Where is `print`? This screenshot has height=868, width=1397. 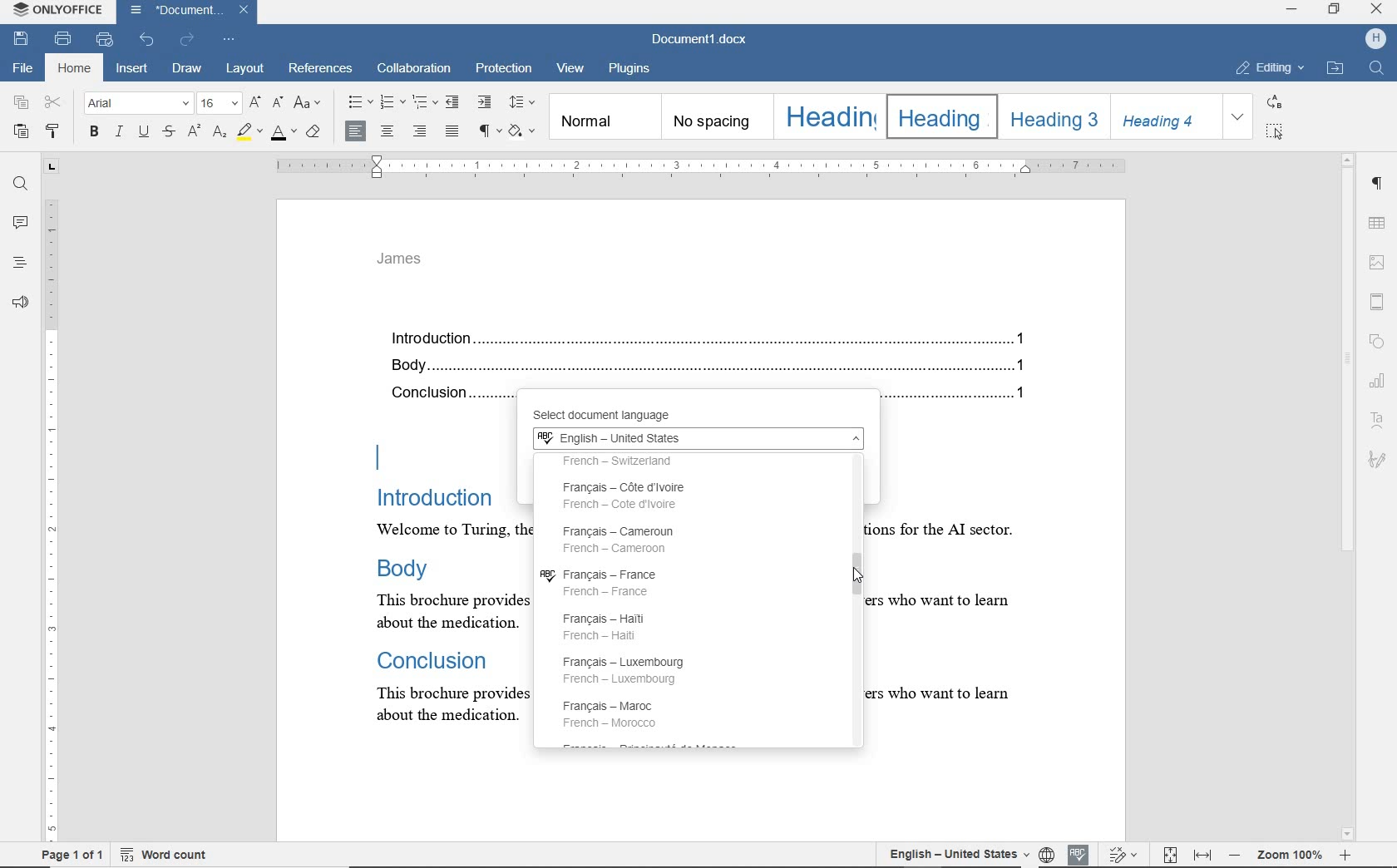 print is located at coordinates (65, 38).